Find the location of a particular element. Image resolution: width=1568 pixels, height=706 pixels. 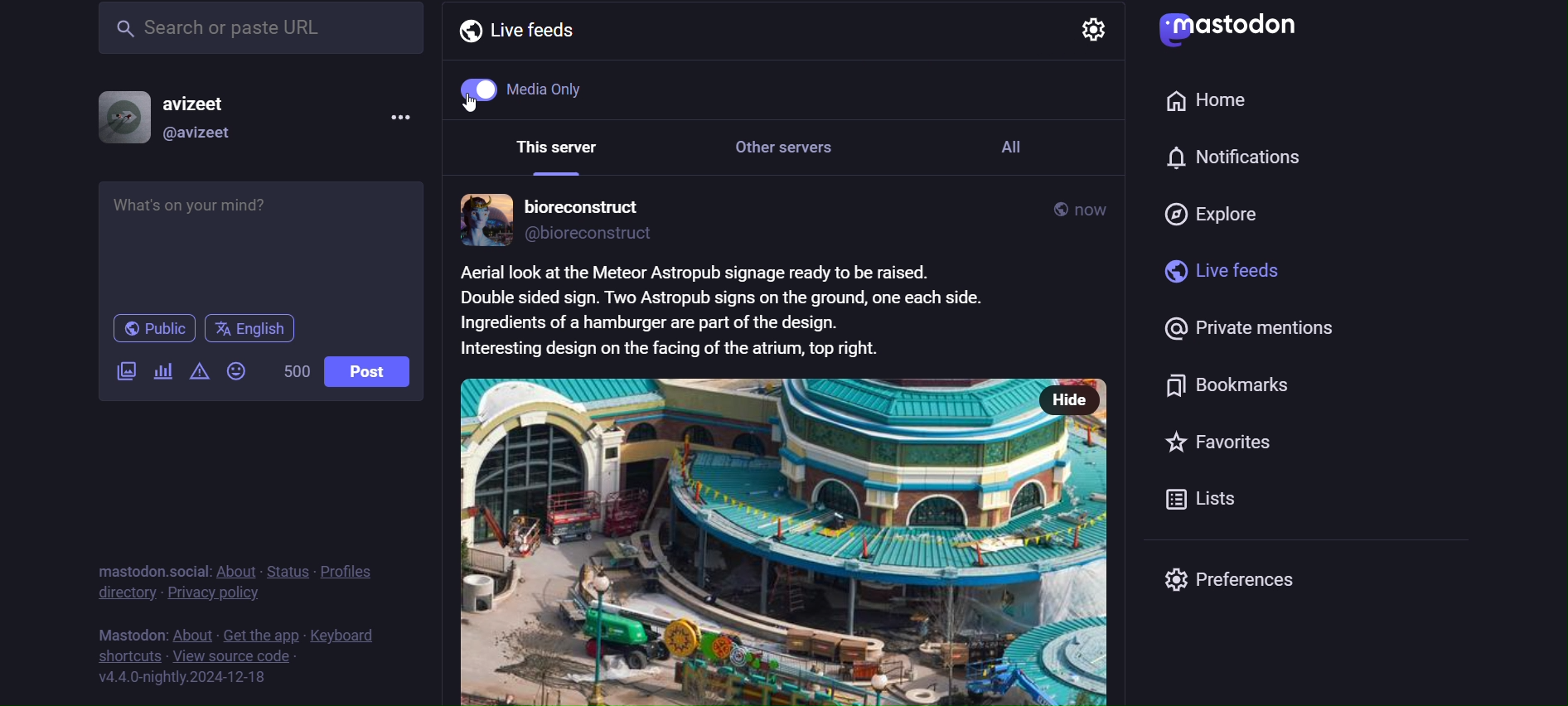

Aerial look at the Meteor Astropub signage ready to be raised.
Double sided sign. Two Astropub signs on the ground, one each side.
Ingredients of a hamburger are part of the design.

Interesting design on the facing of the atrium, top right. is located at coordinates (735, 313).